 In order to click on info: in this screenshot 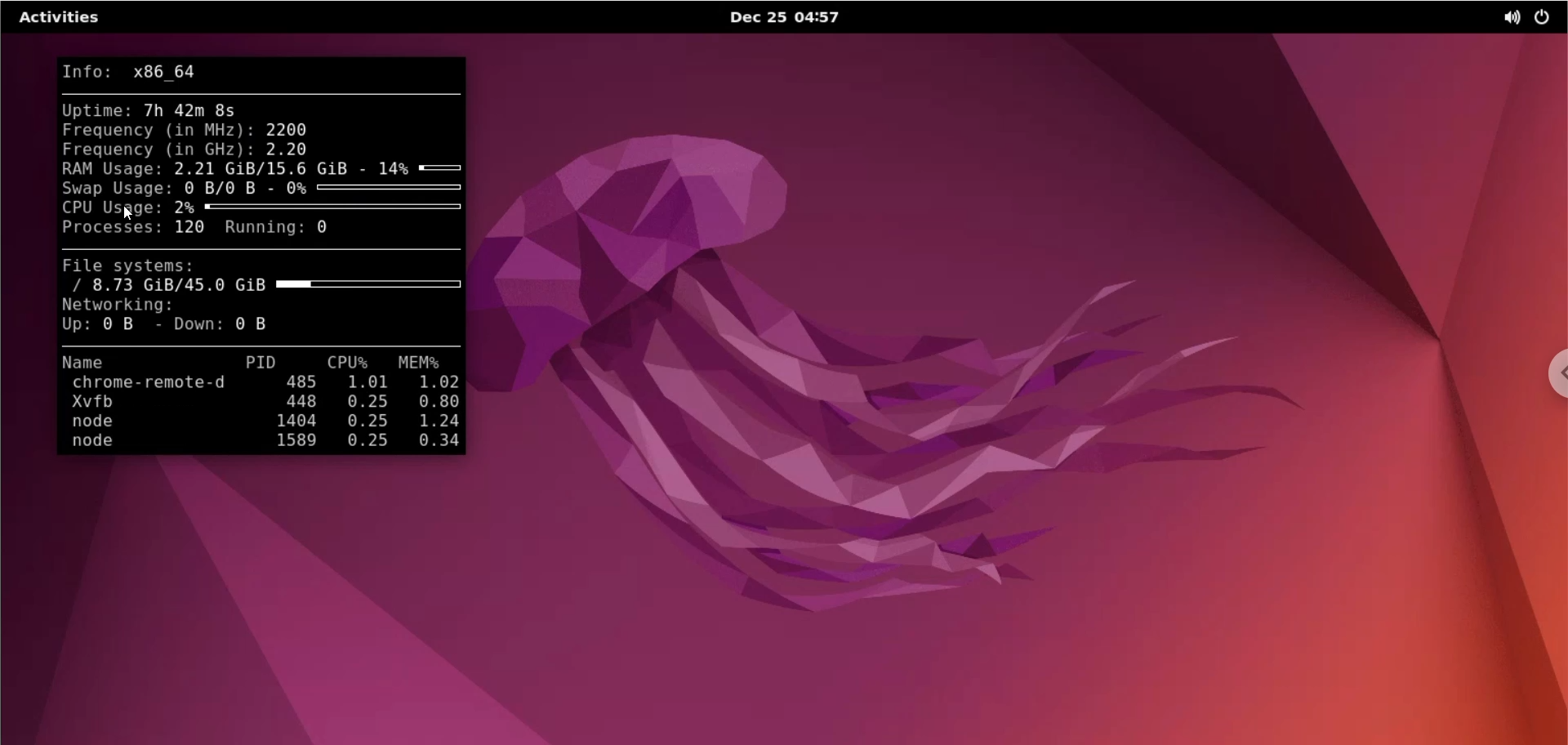, I will do `click(94, 69)`.